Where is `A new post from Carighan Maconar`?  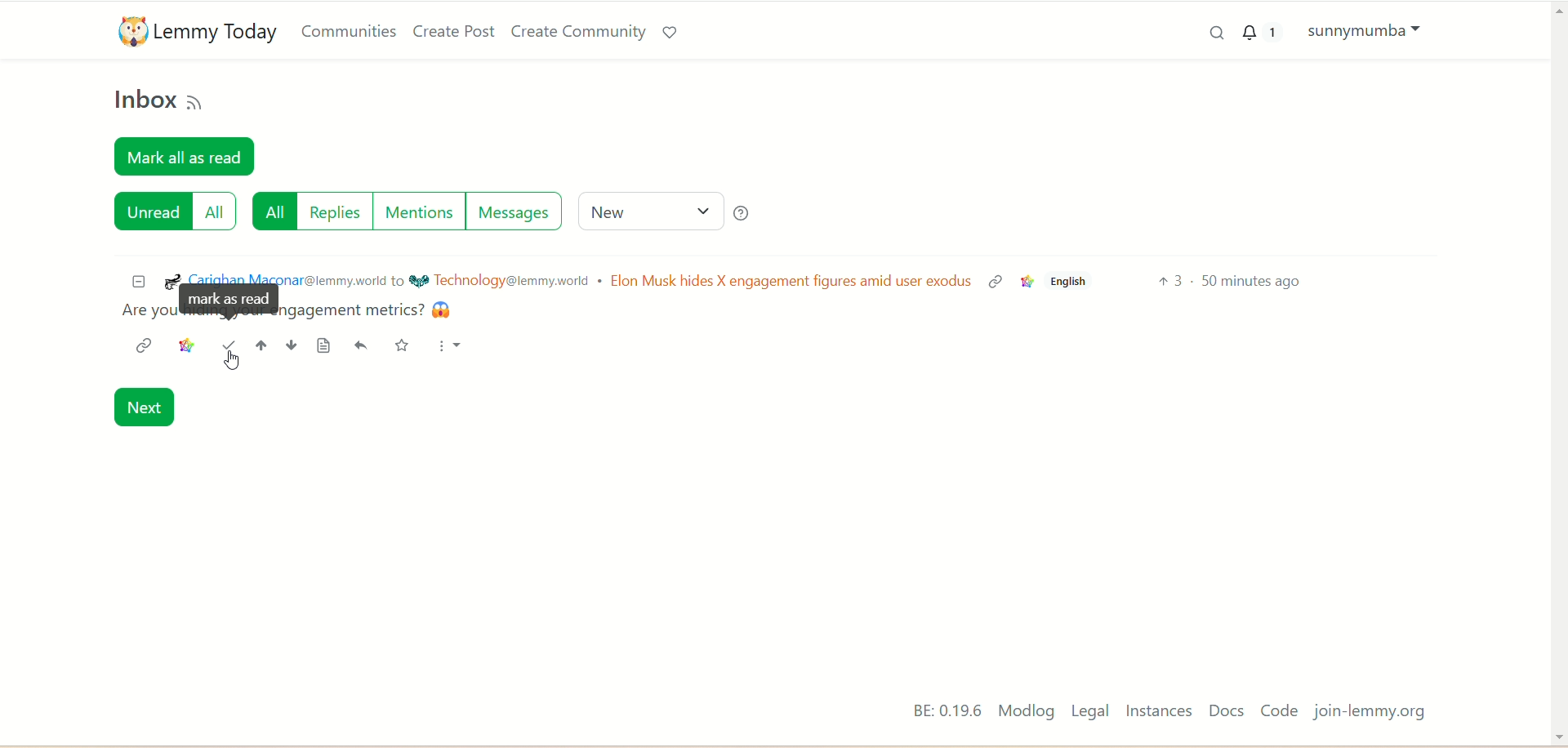 A new post from Carighan Maconar is located at coordinates (538, 290).